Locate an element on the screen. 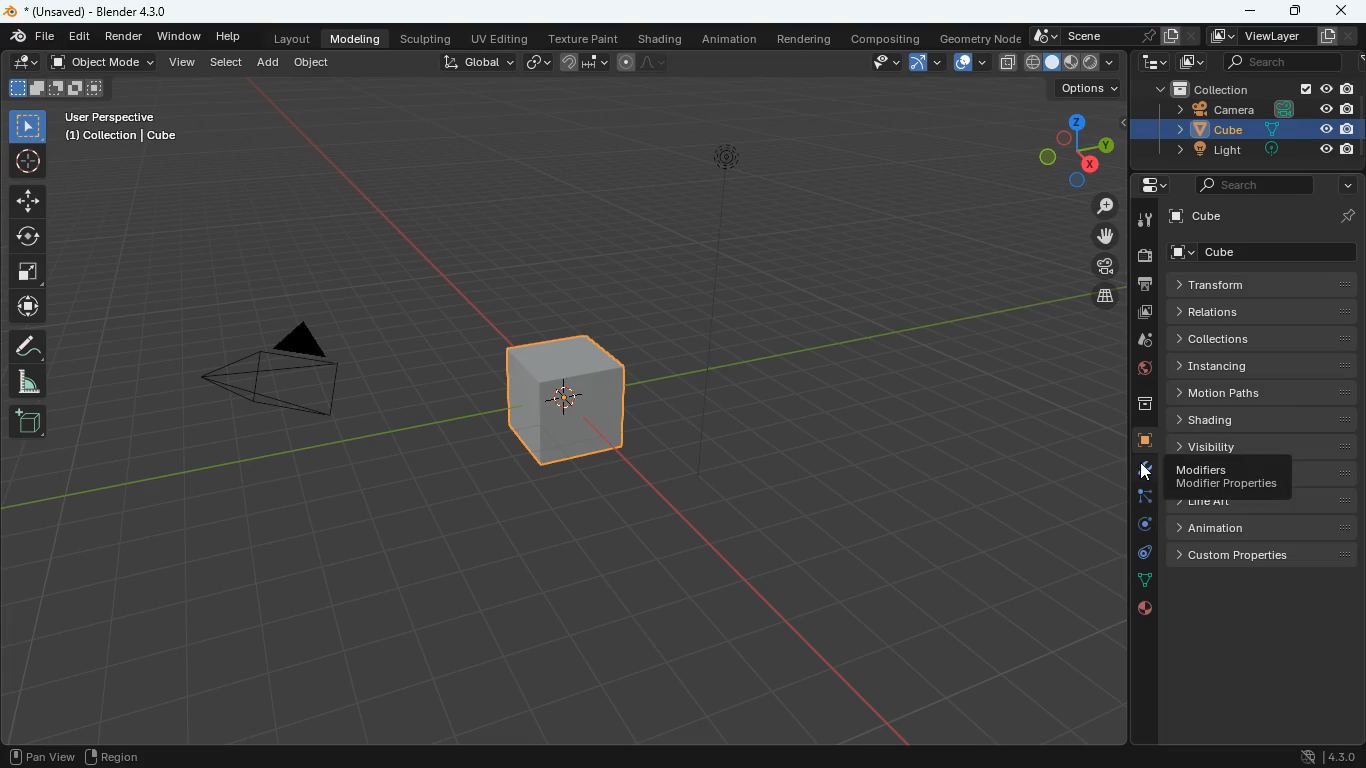 The height and width of the screenshot is (768, 1366). light is located at coordinates (1196, 150).